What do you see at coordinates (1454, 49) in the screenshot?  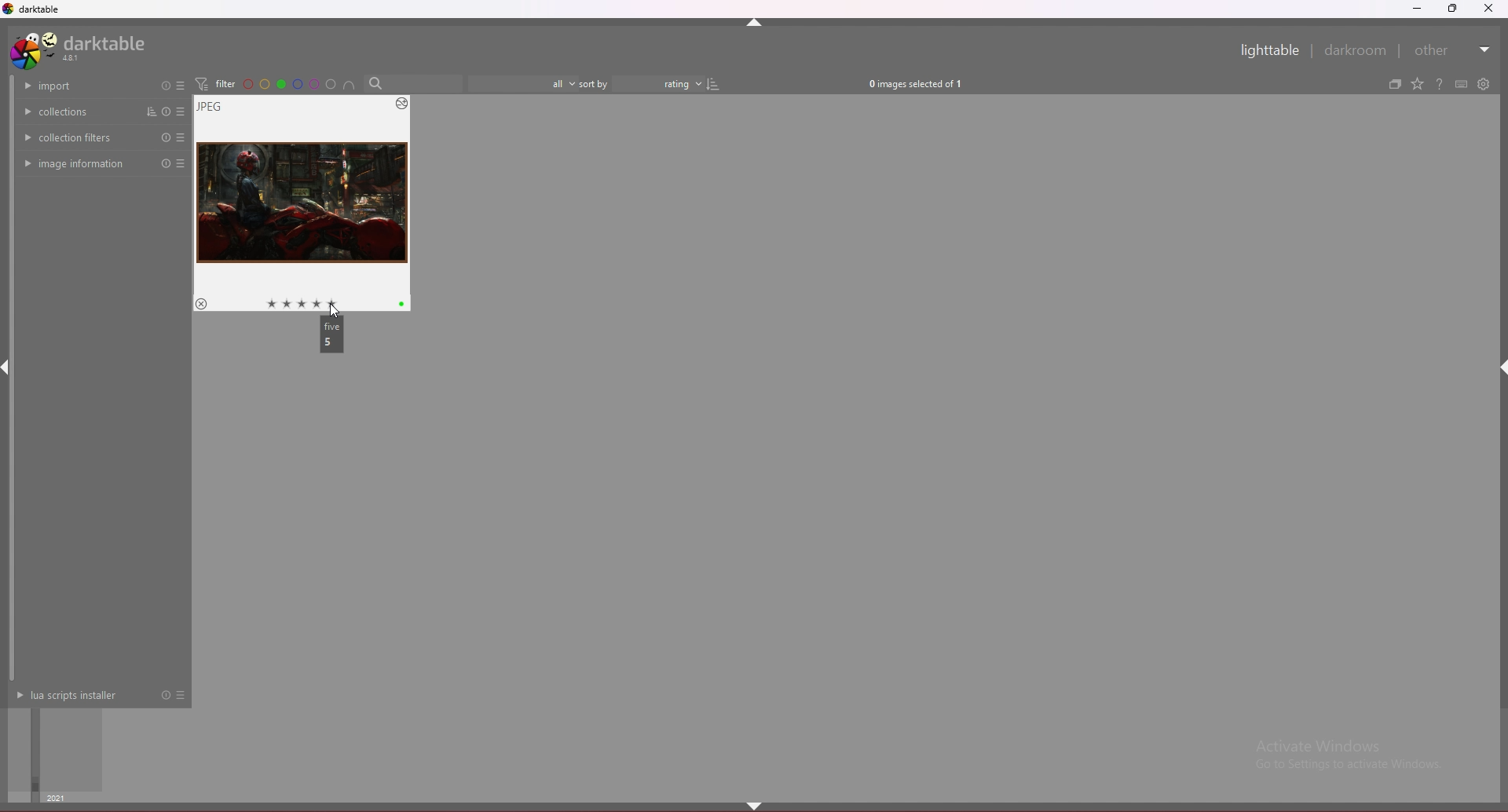 I see `other` at bounding box center [1454, 49].